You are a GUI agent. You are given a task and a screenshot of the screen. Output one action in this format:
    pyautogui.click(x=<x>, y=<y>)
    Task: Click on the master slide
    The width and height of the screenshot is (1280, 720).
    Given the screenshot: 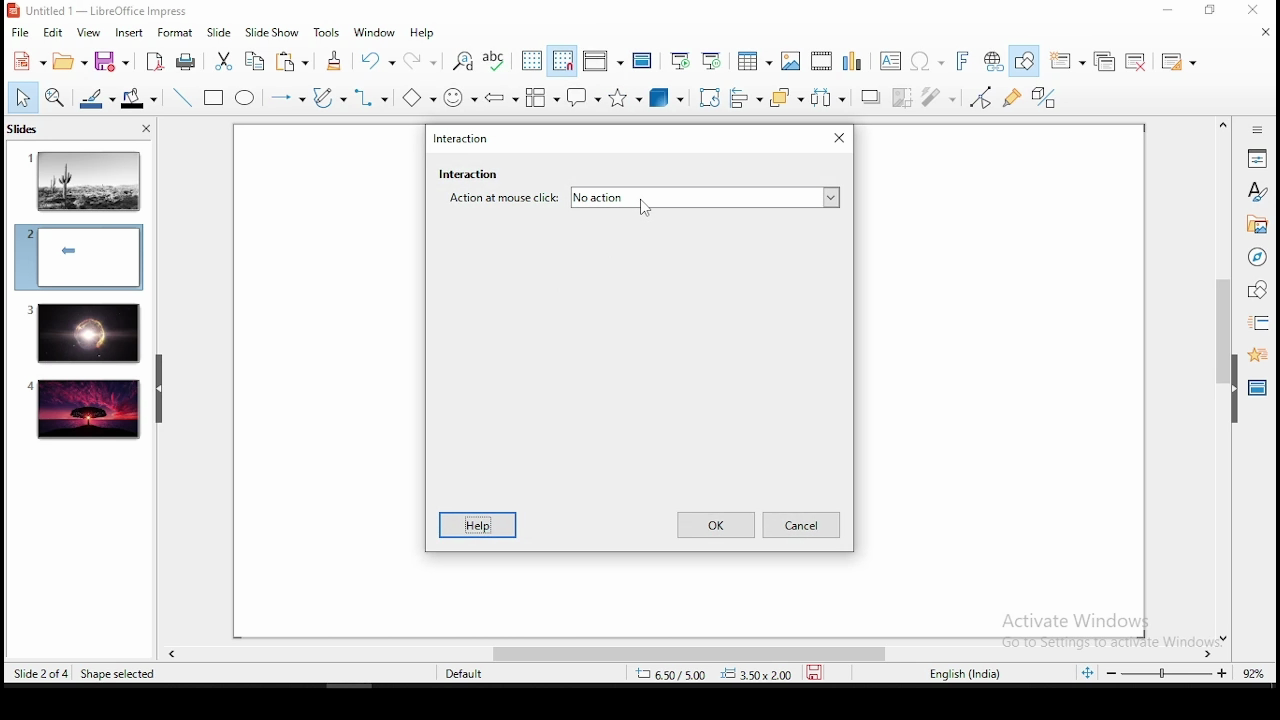 What is the action you would take?
    pyautogui.click(x=642, y=60)
    